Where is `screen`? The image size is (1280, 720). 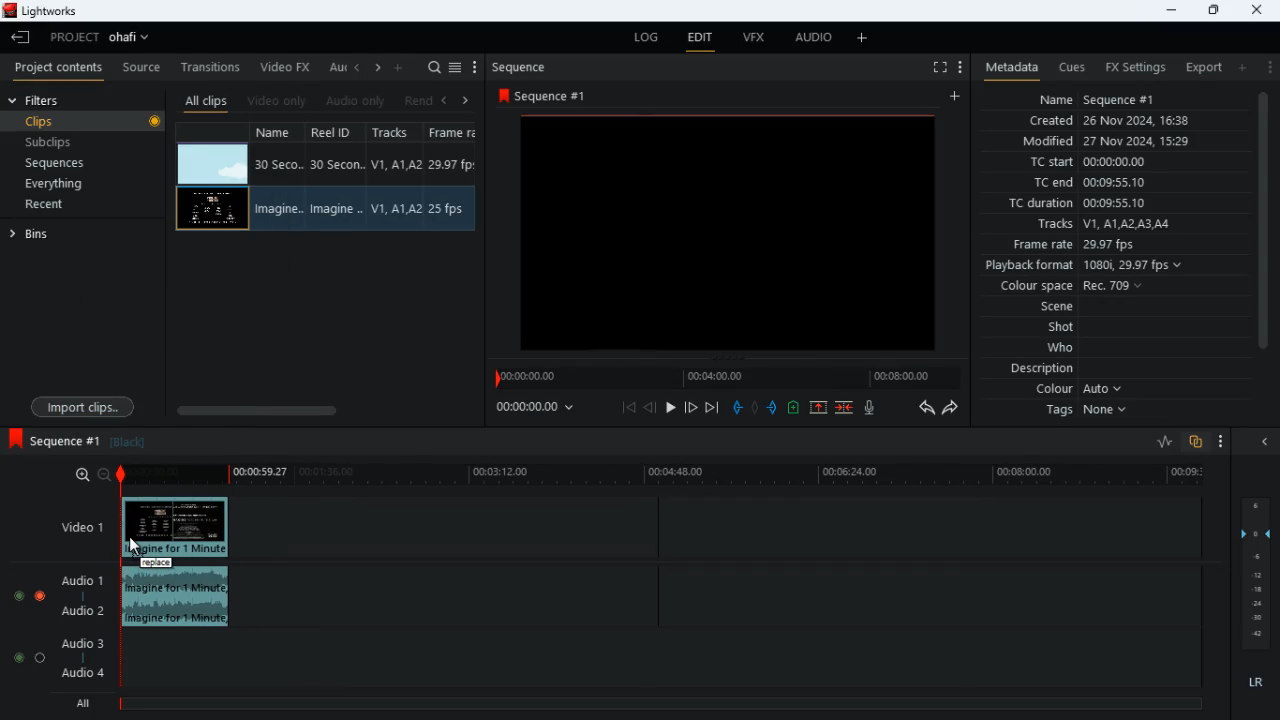
screen is located at coordinates (729, 231).